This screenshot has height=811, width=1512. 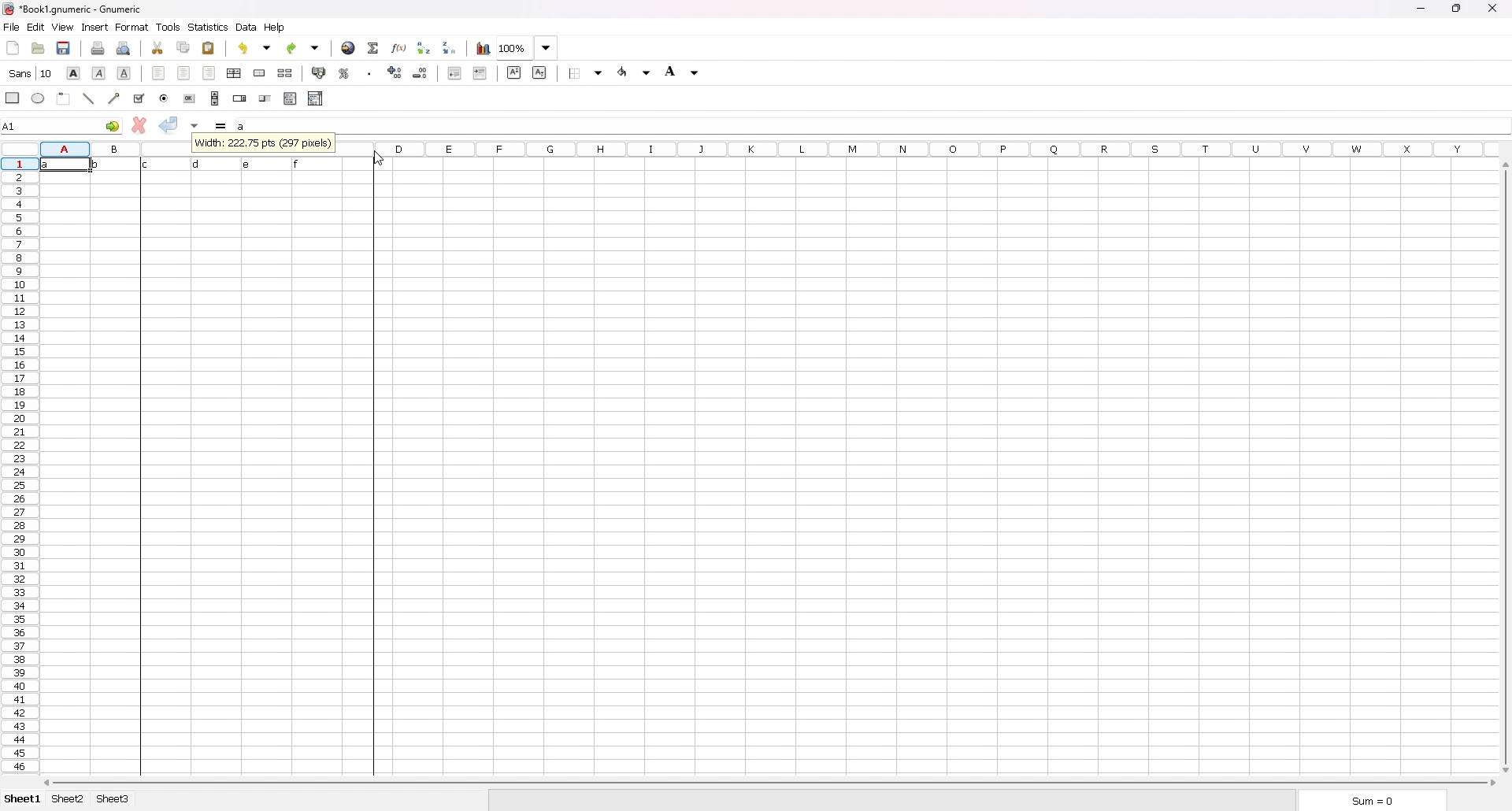 What do you see at coordinates (871, 125) in the screenshot?
I see `cell input` at bounding box center [871, 125].